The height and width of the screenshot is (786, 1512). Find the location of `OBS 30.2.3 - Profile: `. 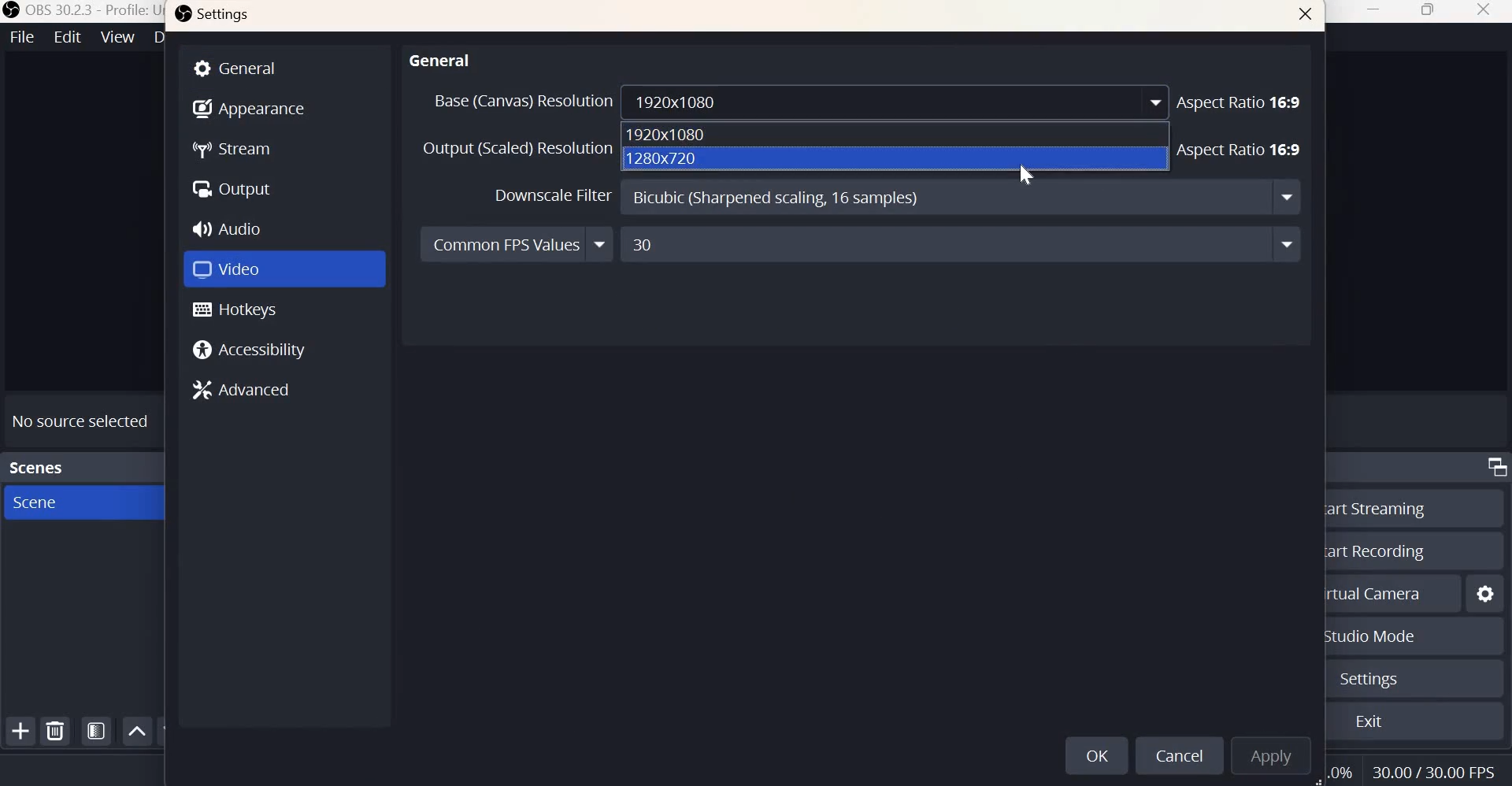

OBS 30.2.3 - Profile:  is located at coordinates (76, 10).